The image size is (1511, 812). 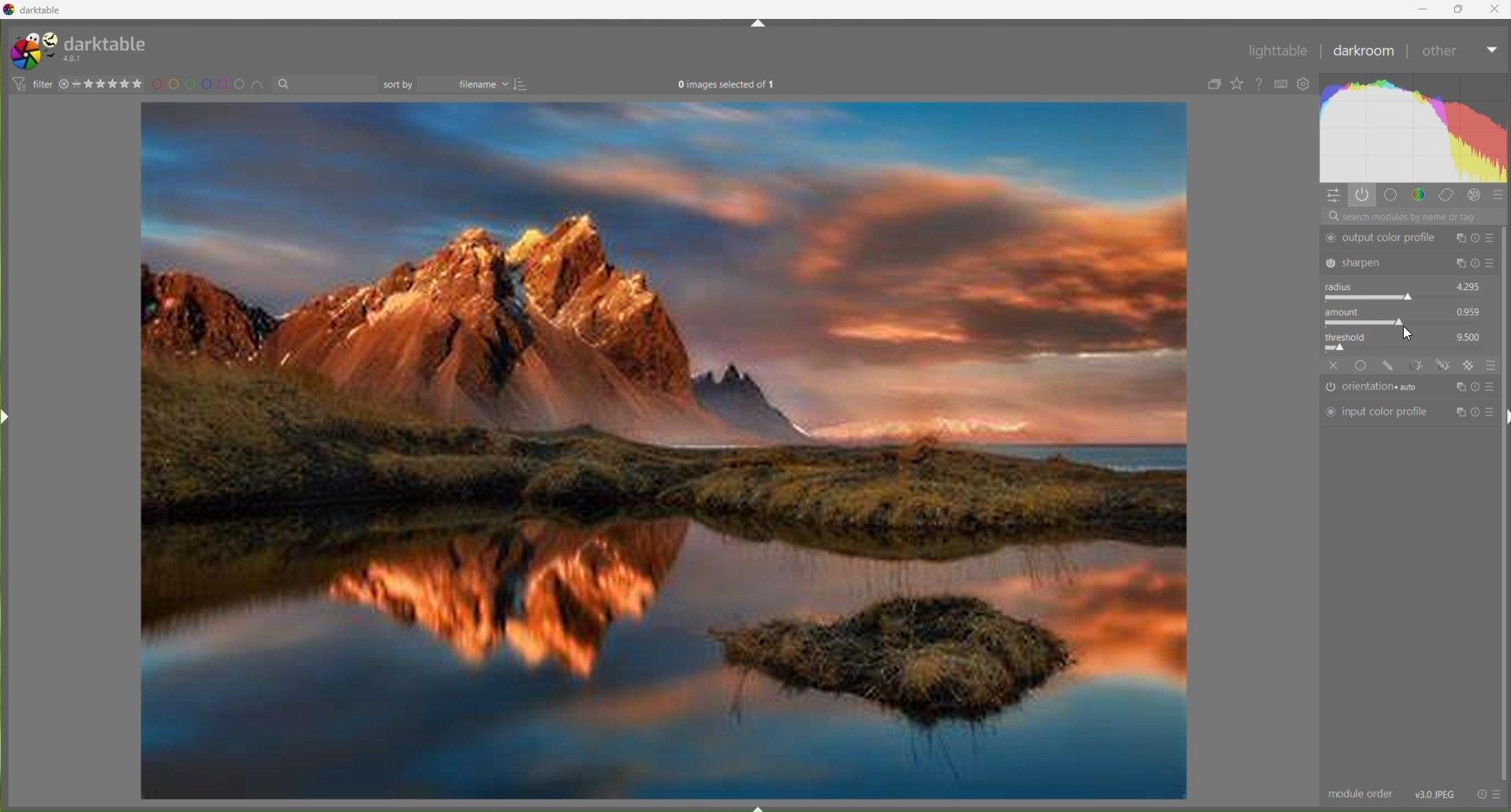 What do you see at coordinates (107, 42) in the screenshot?
I see `darktable` at bounding box center [107, 42].